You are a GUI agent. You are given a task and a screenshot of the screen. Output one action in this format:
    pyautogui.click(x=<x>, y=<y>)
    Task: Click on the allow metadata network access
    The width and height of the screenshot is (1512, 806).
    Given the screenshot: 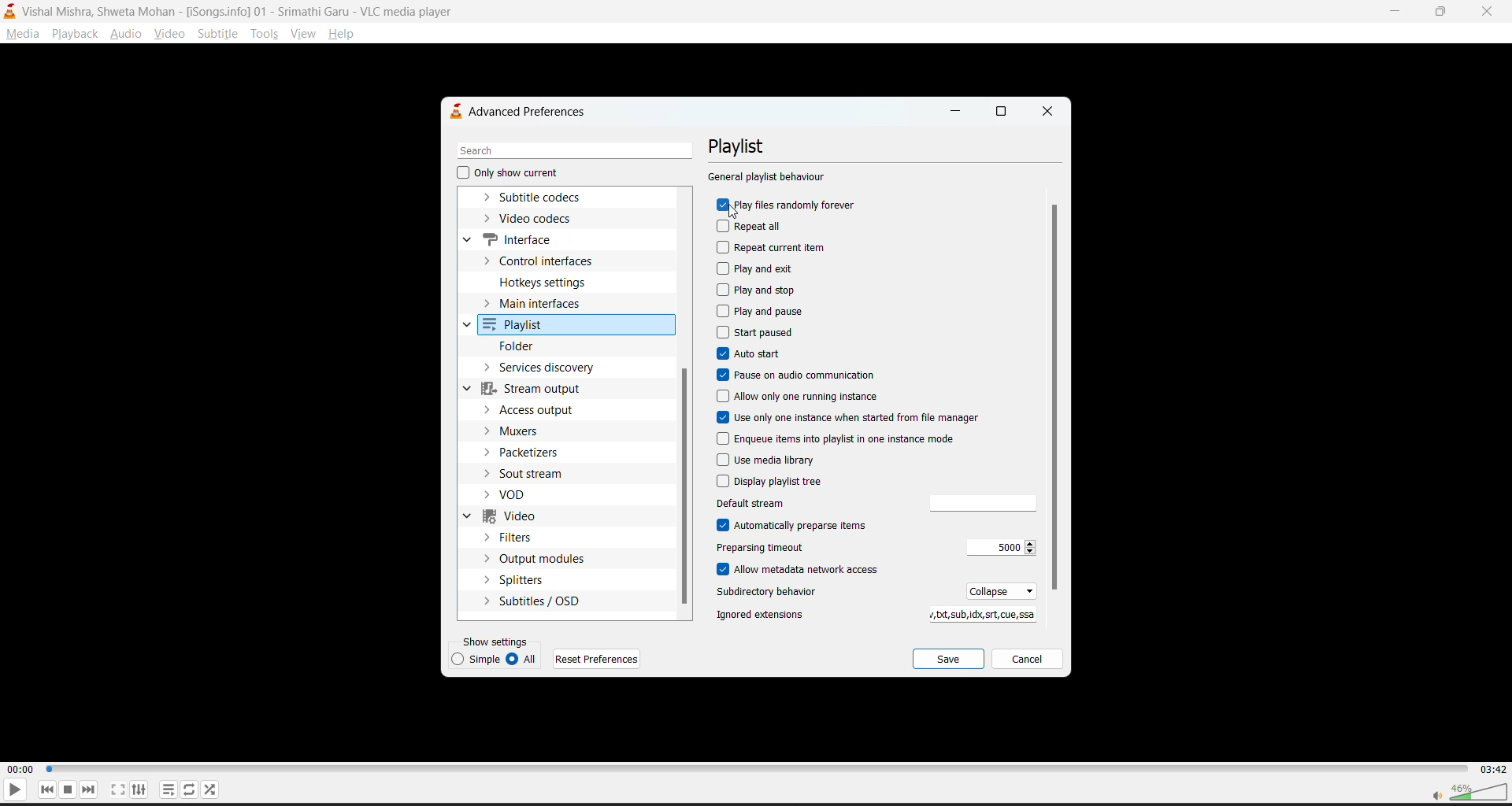 What is the action you would take?
    pyautogui.click(x=806, y=569)
    